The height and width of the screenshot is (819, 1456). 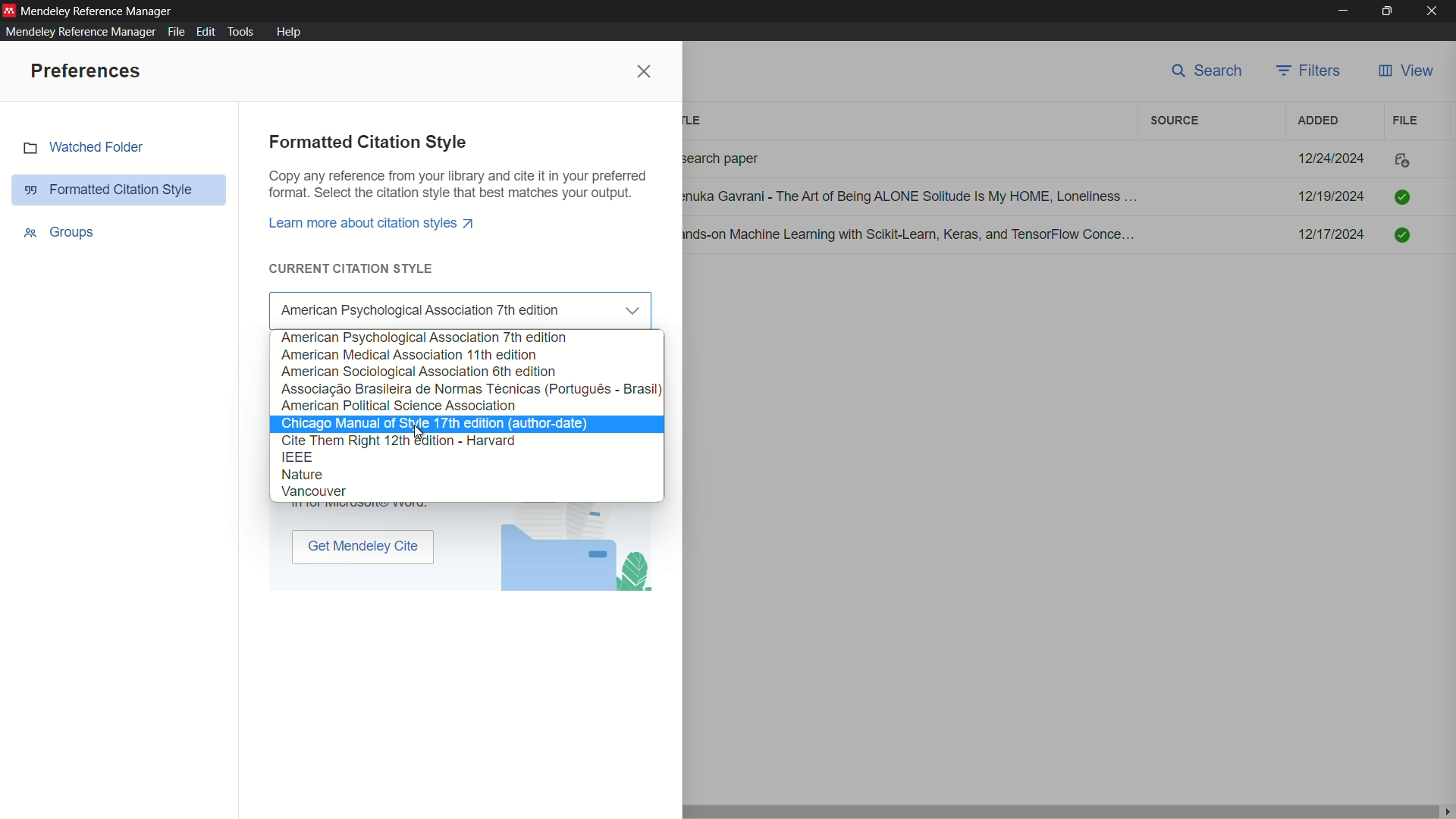 I want to click on citation styles, so click(x=404, y=439).